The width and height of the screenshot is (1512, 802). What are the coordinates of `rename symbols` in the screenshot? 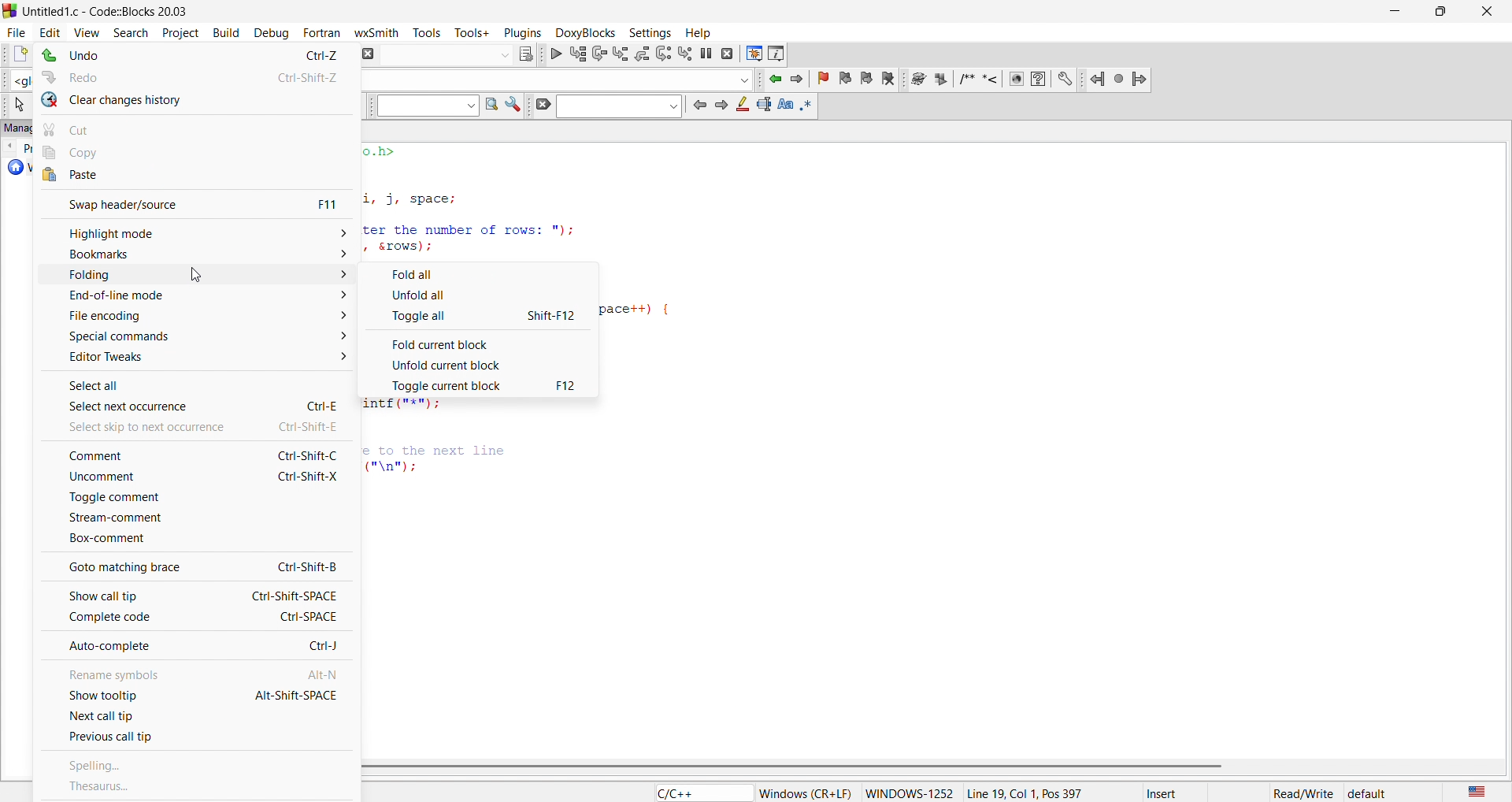 It's located at (192, 670).